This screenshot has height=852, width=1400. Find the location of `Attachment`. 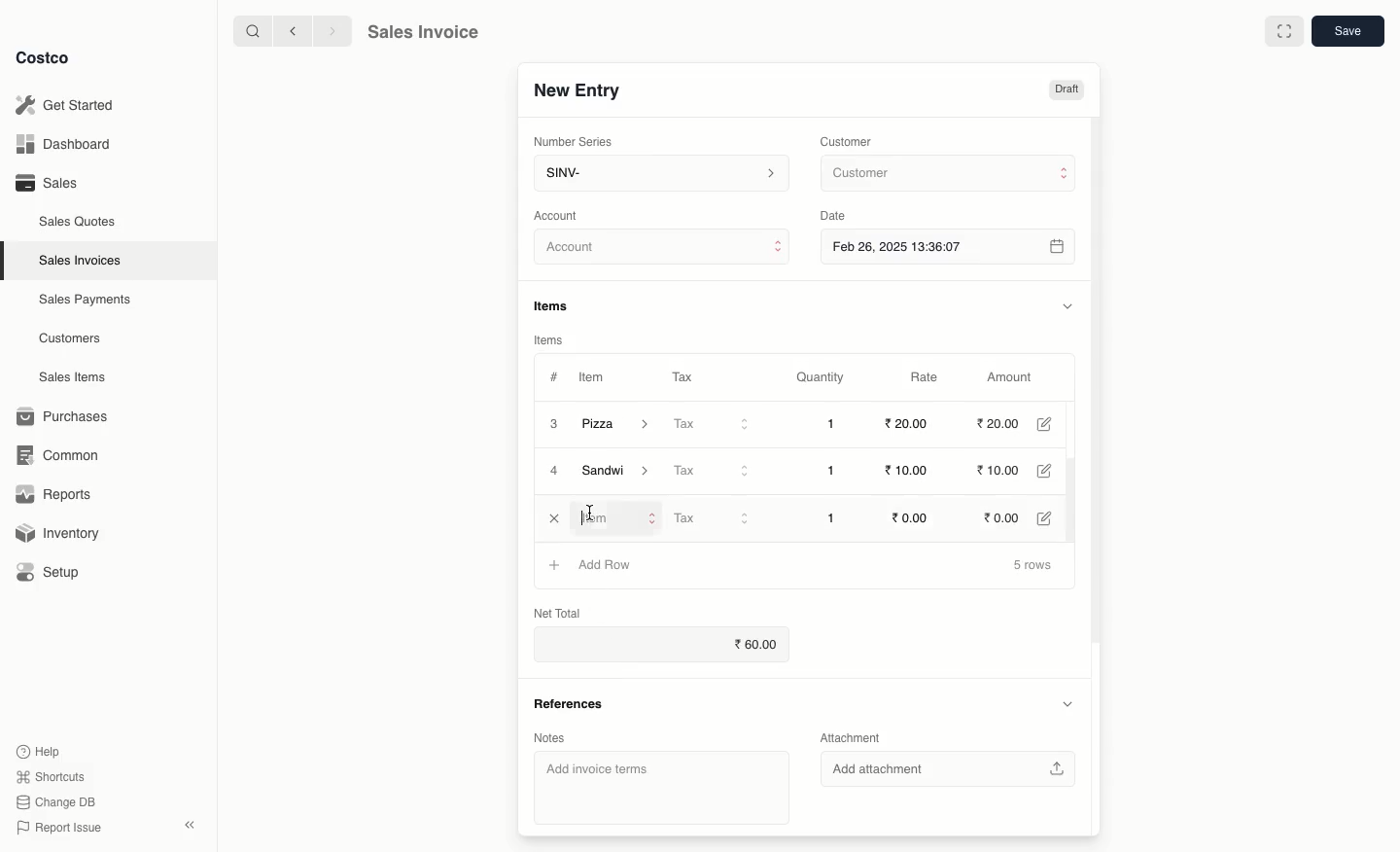

Attachment is located at coordinates (852, 739).